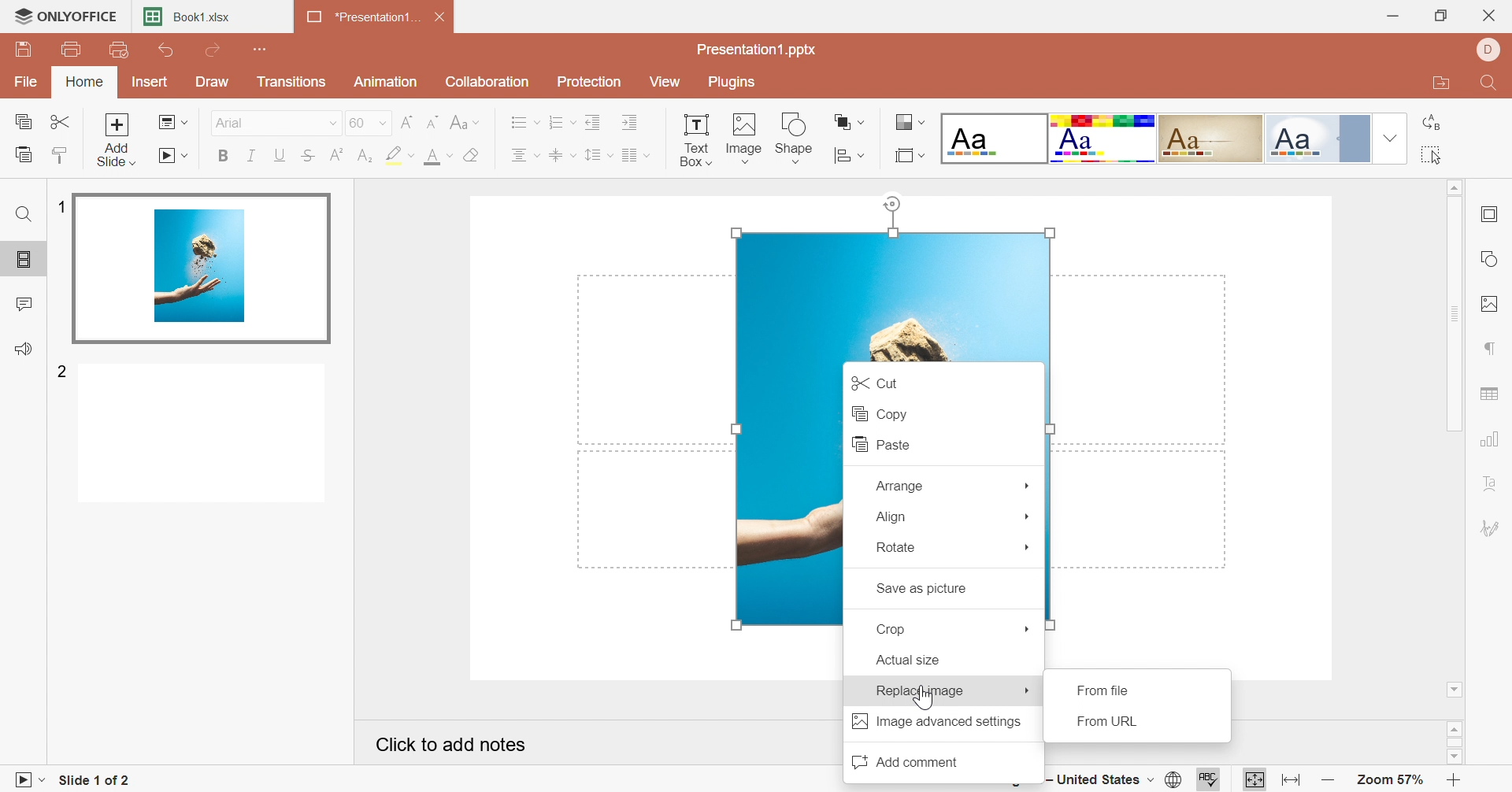  I want to click on *Presentation1..., so click(365, 17).